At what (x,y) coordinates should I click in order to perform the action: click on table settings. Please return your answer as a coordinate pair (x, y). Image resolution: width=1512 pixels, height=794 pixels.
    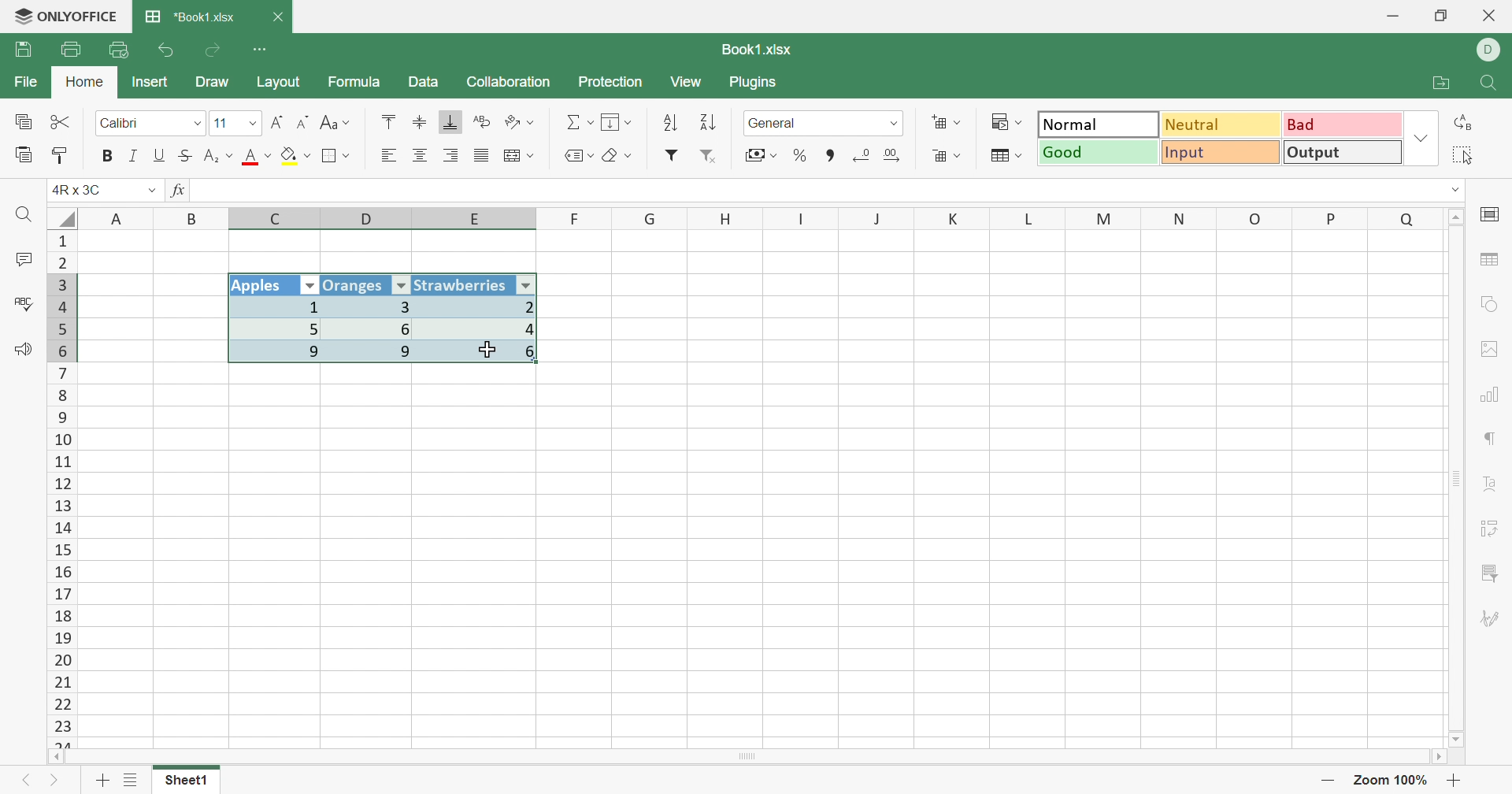
    Looking at the image, I should click on (1492, 262).